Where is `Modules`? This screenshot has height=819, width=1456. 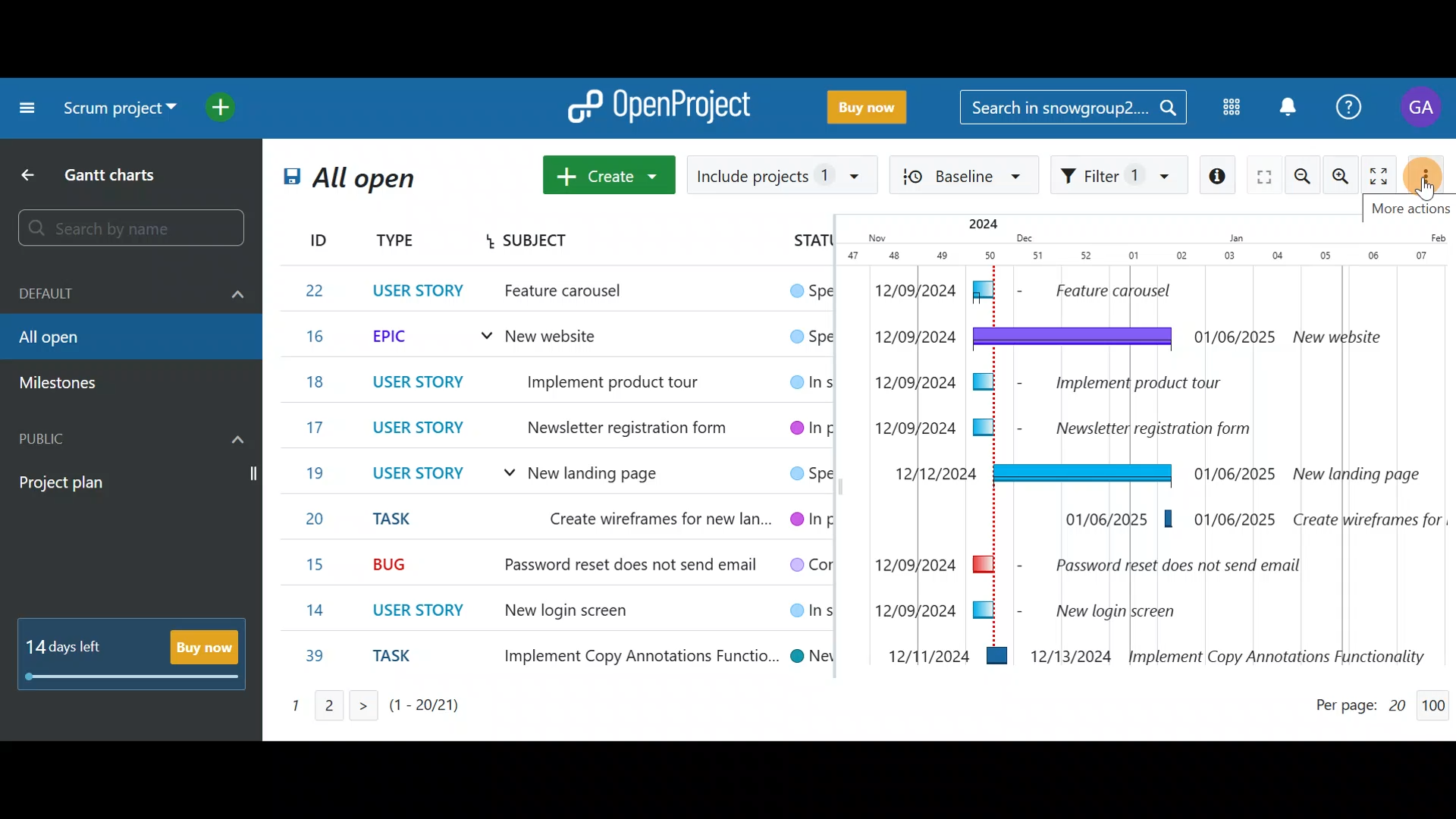
Modules is located at coordinates (1229, 108).